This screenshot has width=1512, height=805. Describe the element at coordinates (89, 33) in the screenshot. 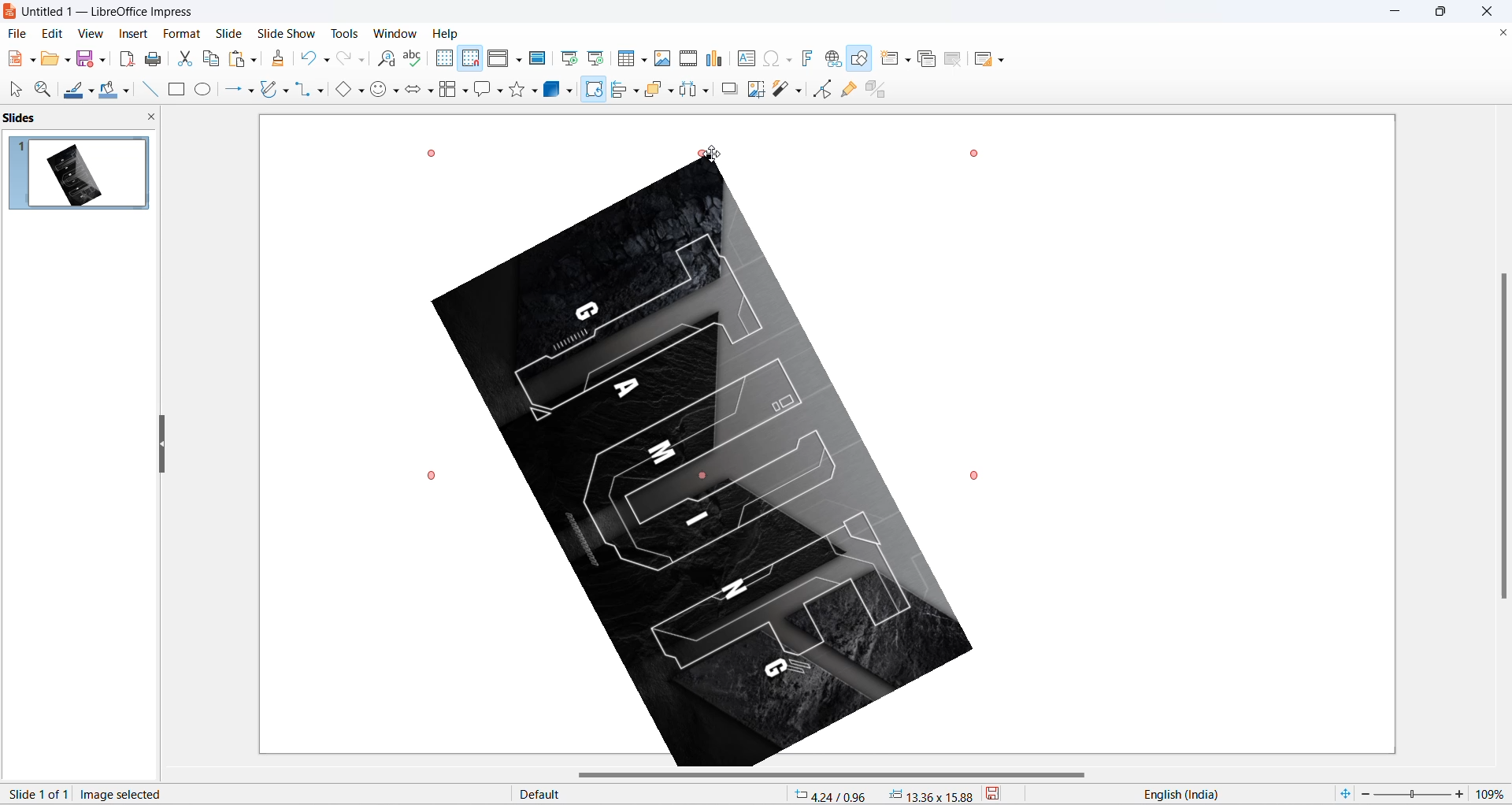

I see `view` at that location.